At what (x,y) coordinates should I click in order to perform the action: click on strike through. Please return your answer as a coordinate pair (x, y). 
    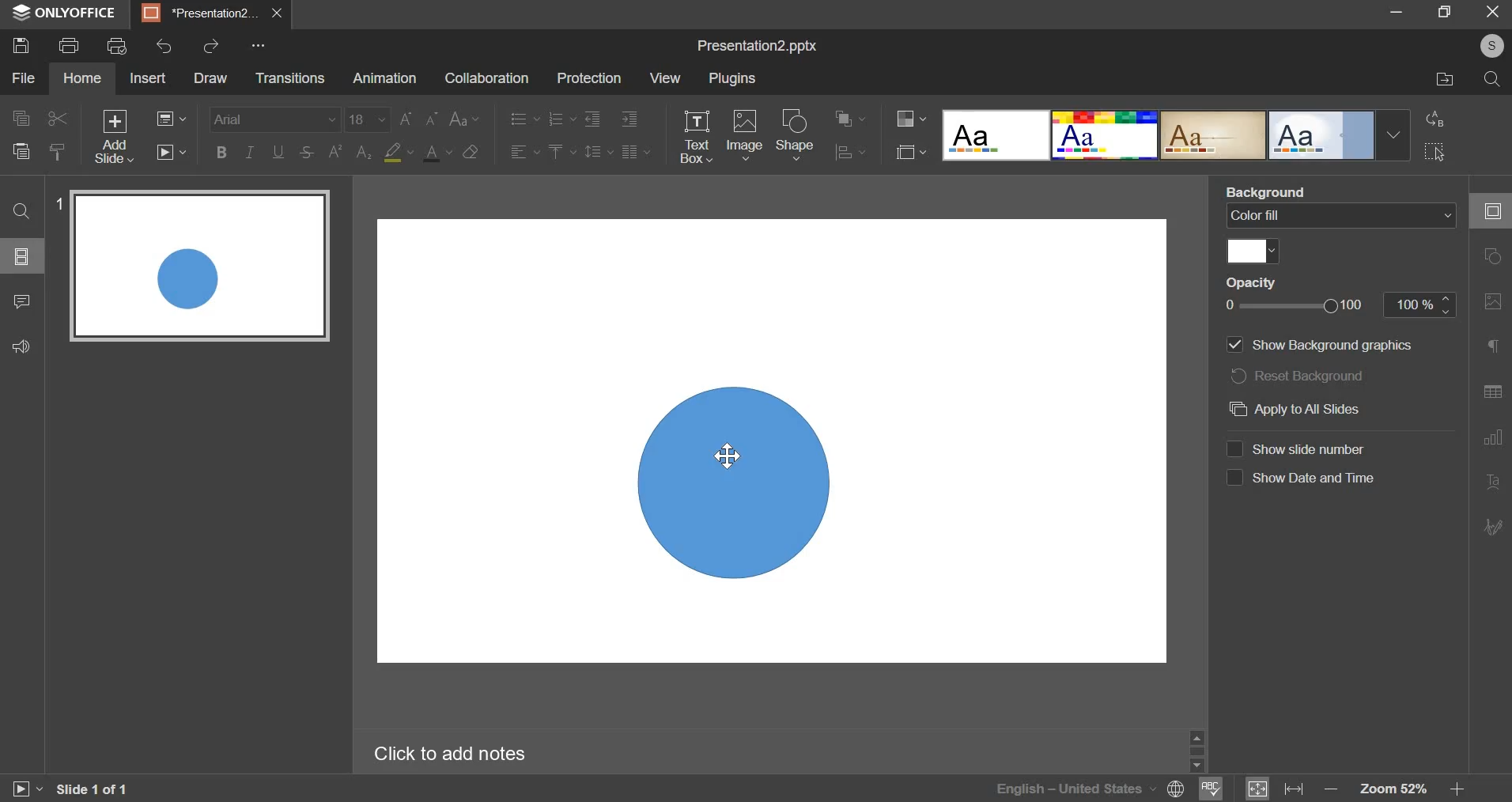
    Looking at the image, I should click on (305, 152).